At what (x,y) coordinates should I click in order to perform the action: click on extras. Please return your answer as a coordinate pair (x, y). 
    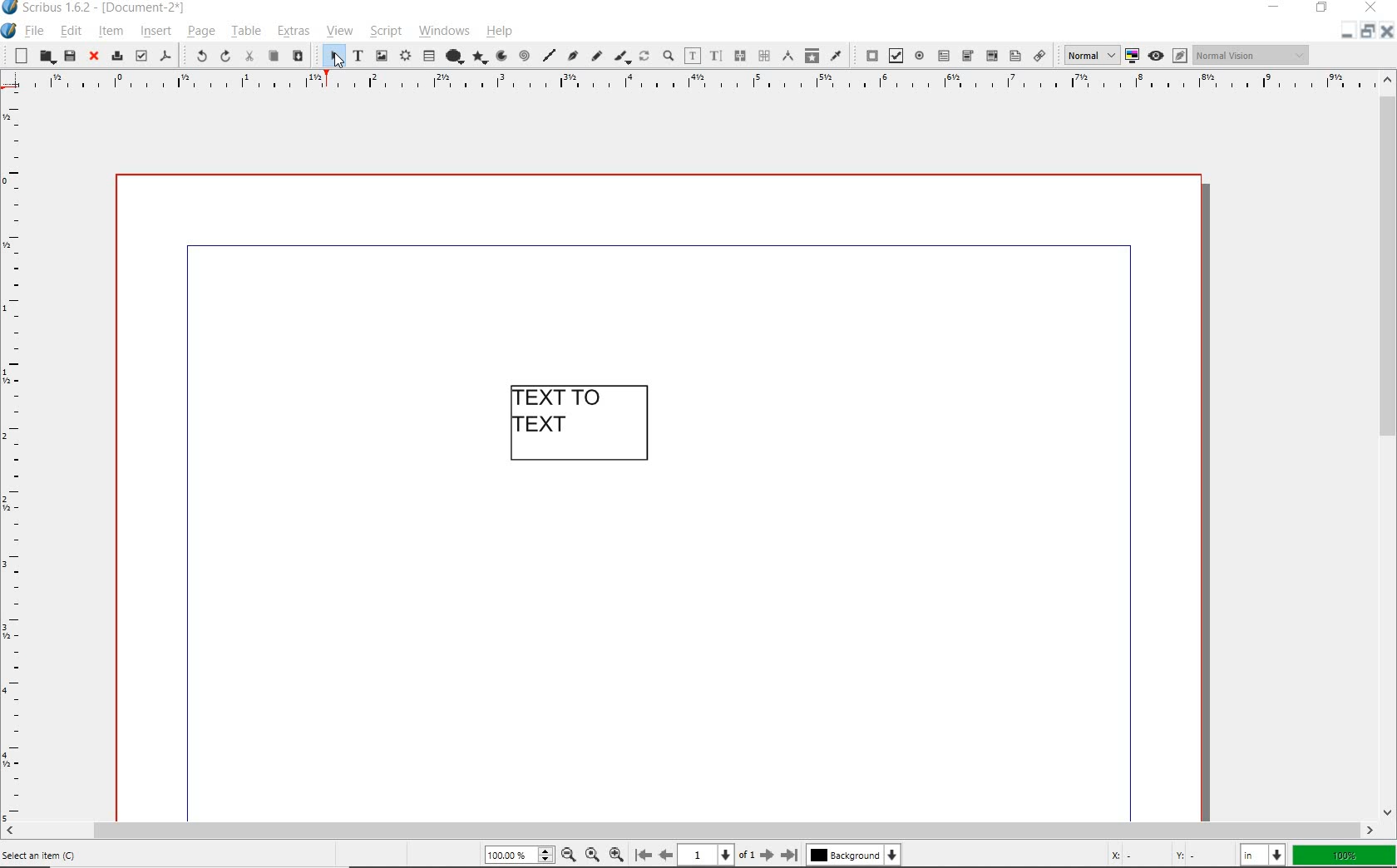
    Looking at the image, I should click on (294, 31).